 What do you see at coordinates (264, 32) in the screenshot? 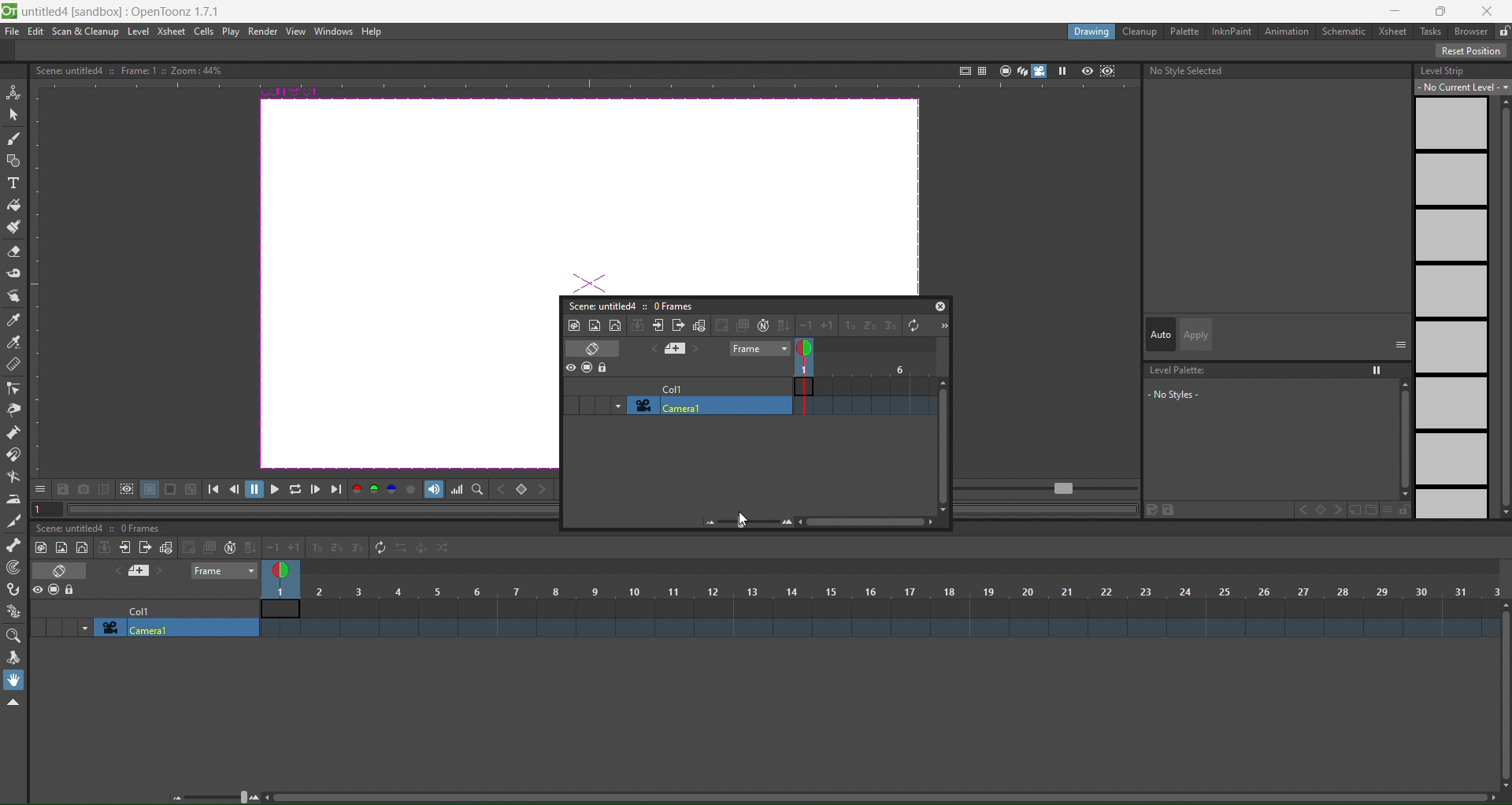
I see `render` at bounding box center [264, 32].